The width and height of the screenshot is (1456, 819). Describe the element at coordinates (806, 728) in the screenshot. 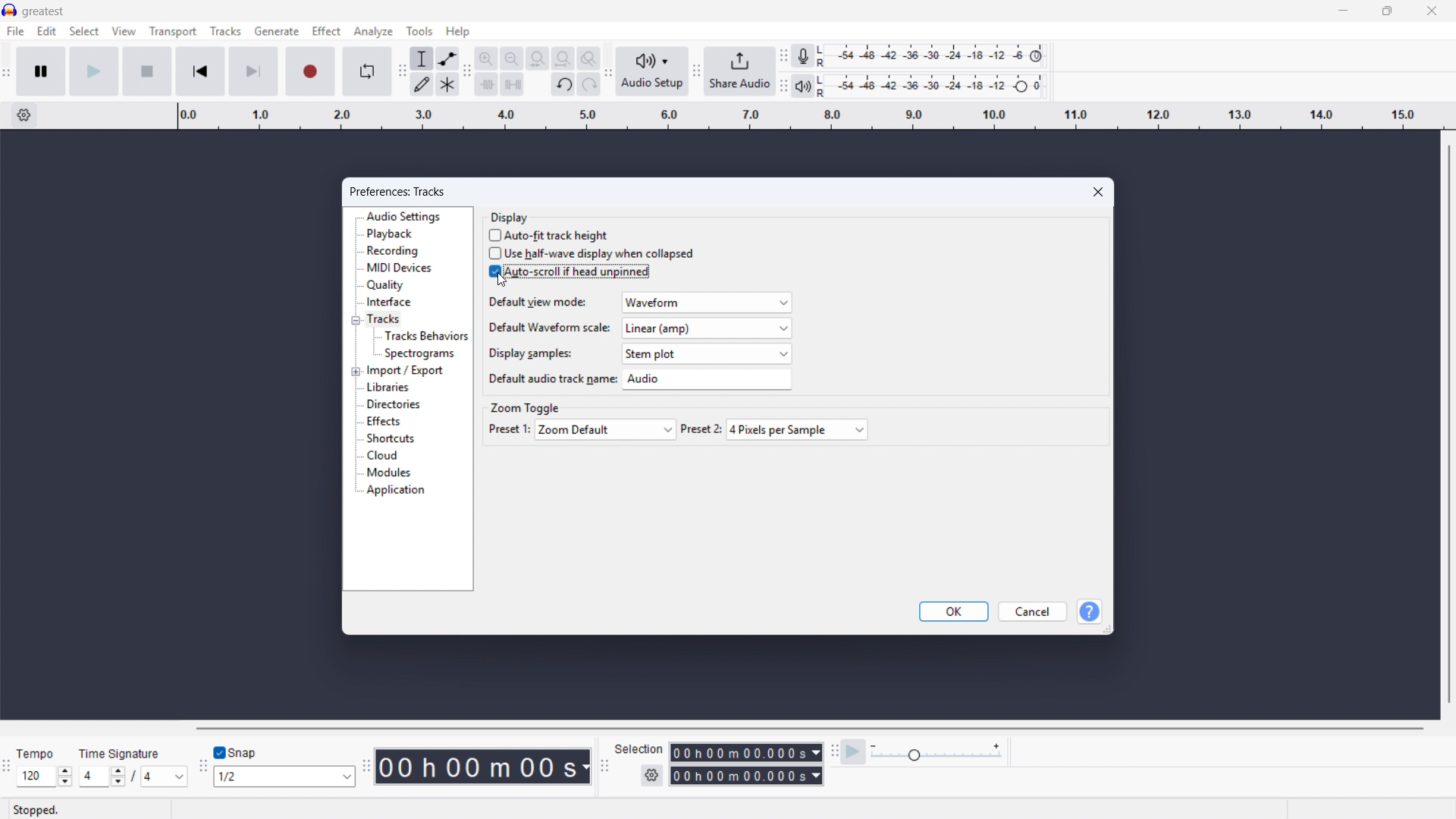

I see `Horizontal scroll bar ` at that location.